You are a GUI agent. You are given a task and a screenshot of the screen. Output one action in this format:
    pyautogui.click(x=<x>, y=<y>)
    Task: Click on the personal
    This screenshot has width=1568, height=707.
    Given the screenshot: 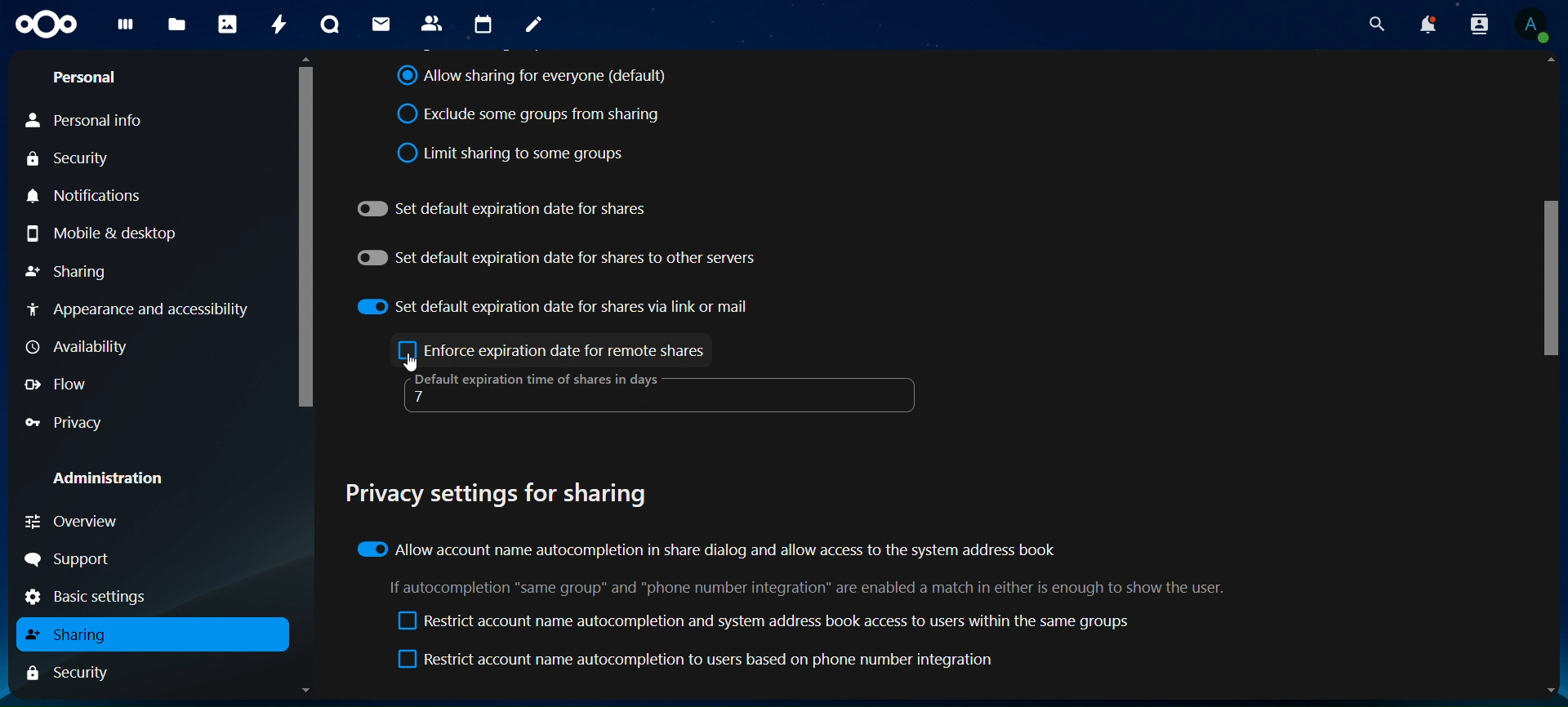 What is the action you would take?
    pyautogui.click(x=87, y=78)
    